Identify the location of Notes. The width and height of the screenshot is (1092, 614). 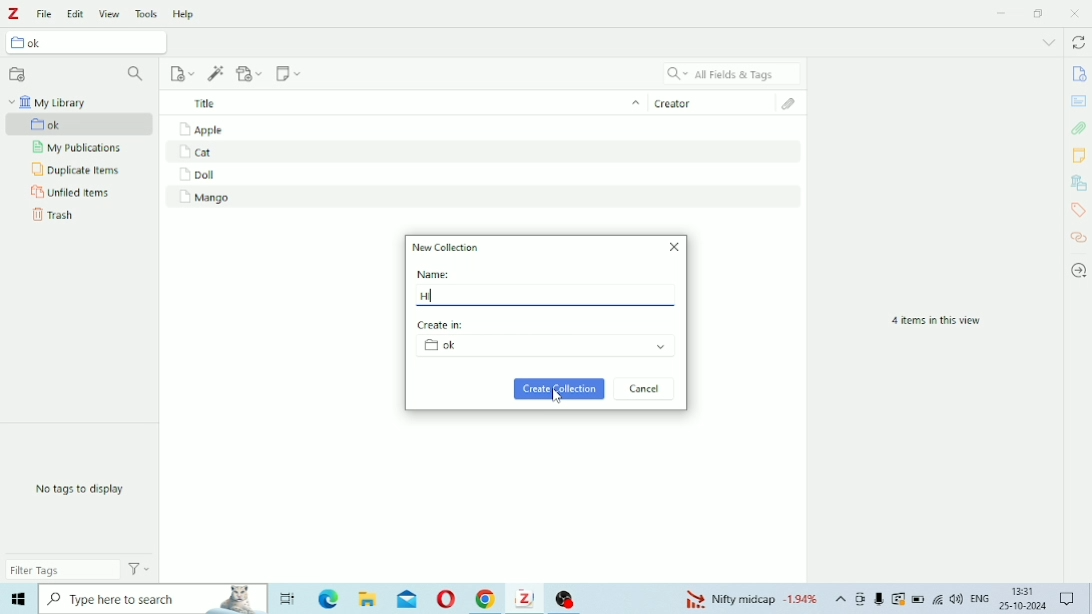
(1079, 155).